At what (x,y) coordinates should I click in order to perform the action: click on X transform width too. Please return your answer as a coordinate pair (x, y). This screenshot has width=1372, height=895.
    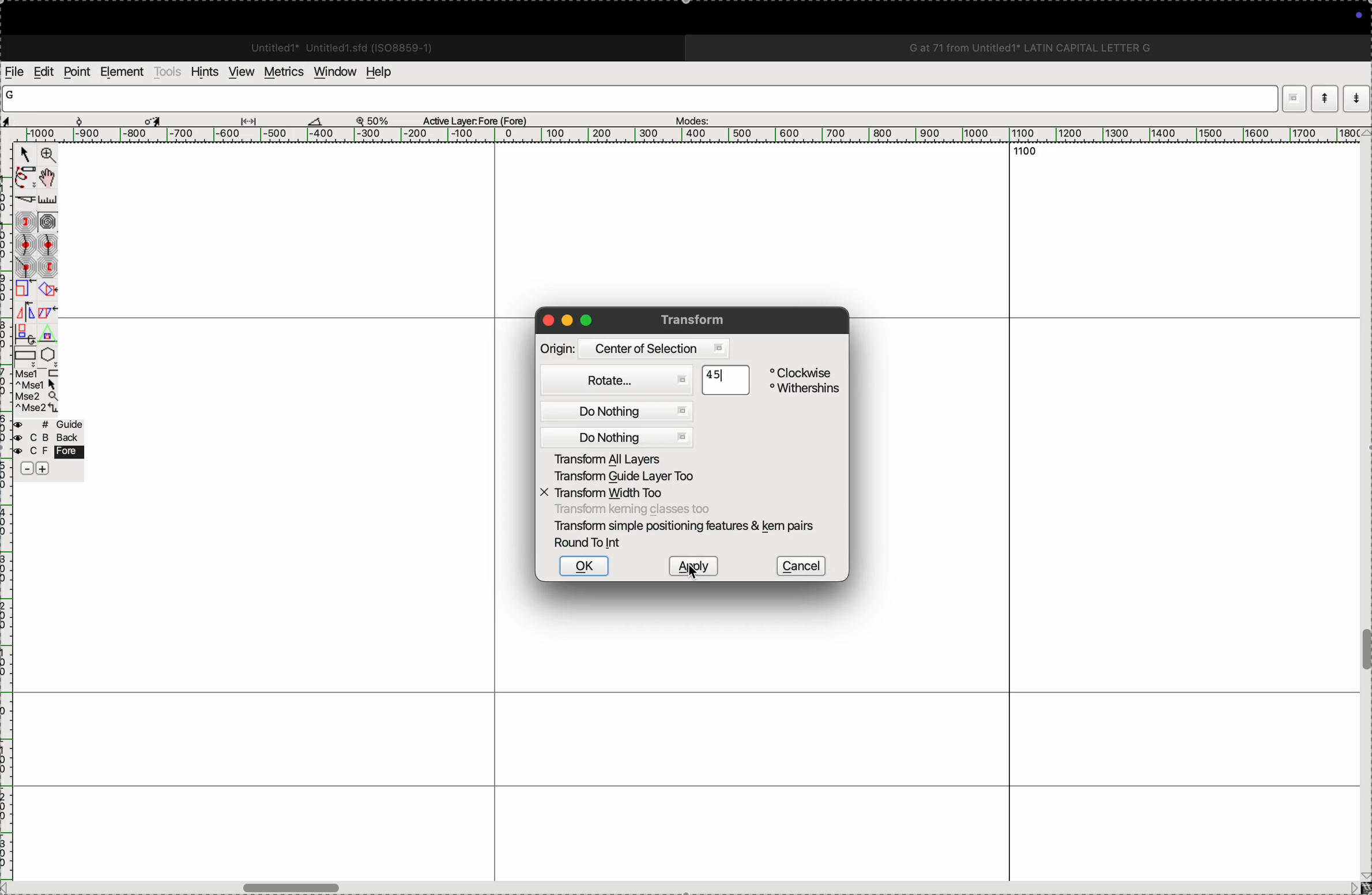
    Looking at the image, I should click on (630, 491).